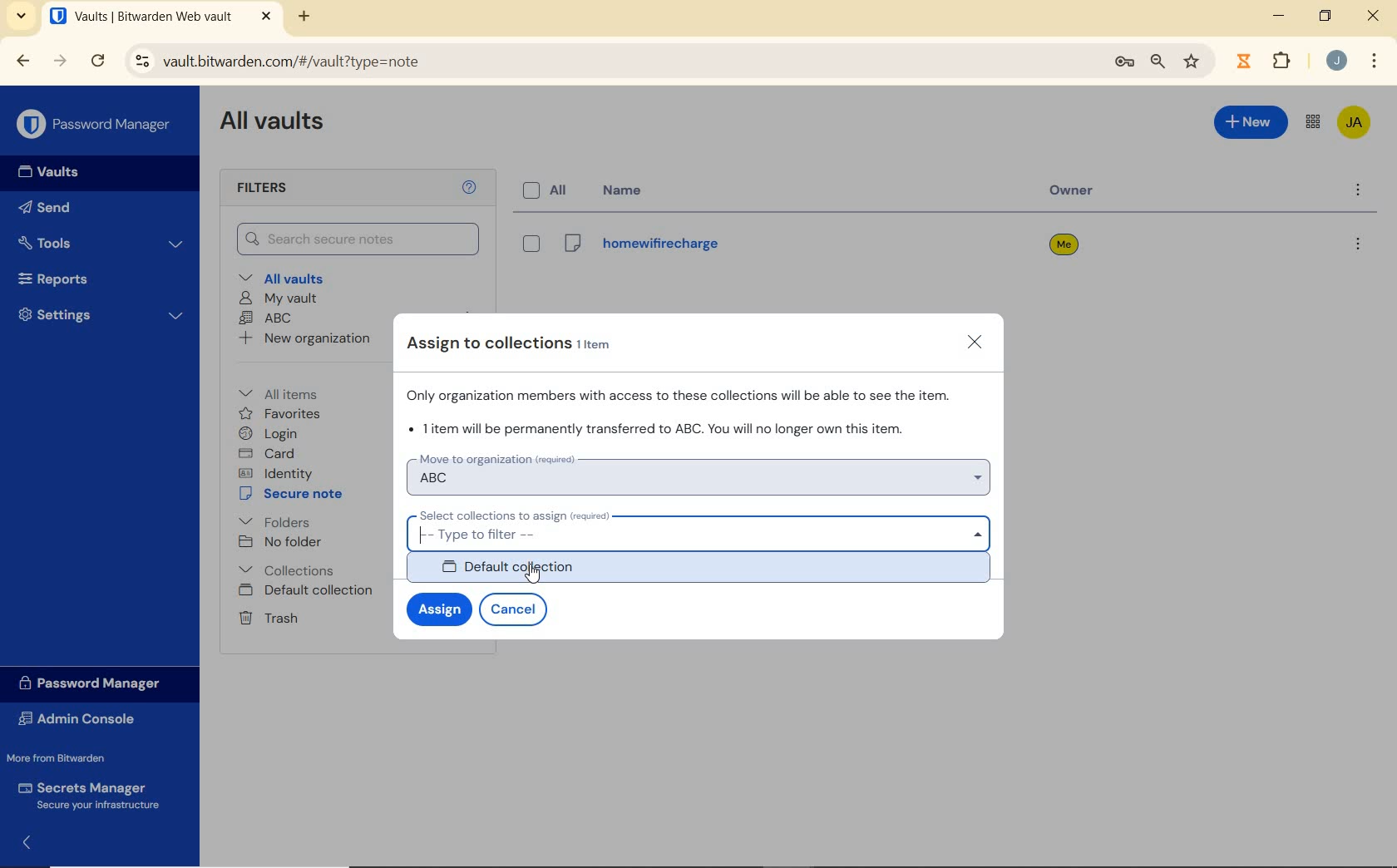 This screenshot has width=1397, height=868. I want to click on New, so click(1251, 126).